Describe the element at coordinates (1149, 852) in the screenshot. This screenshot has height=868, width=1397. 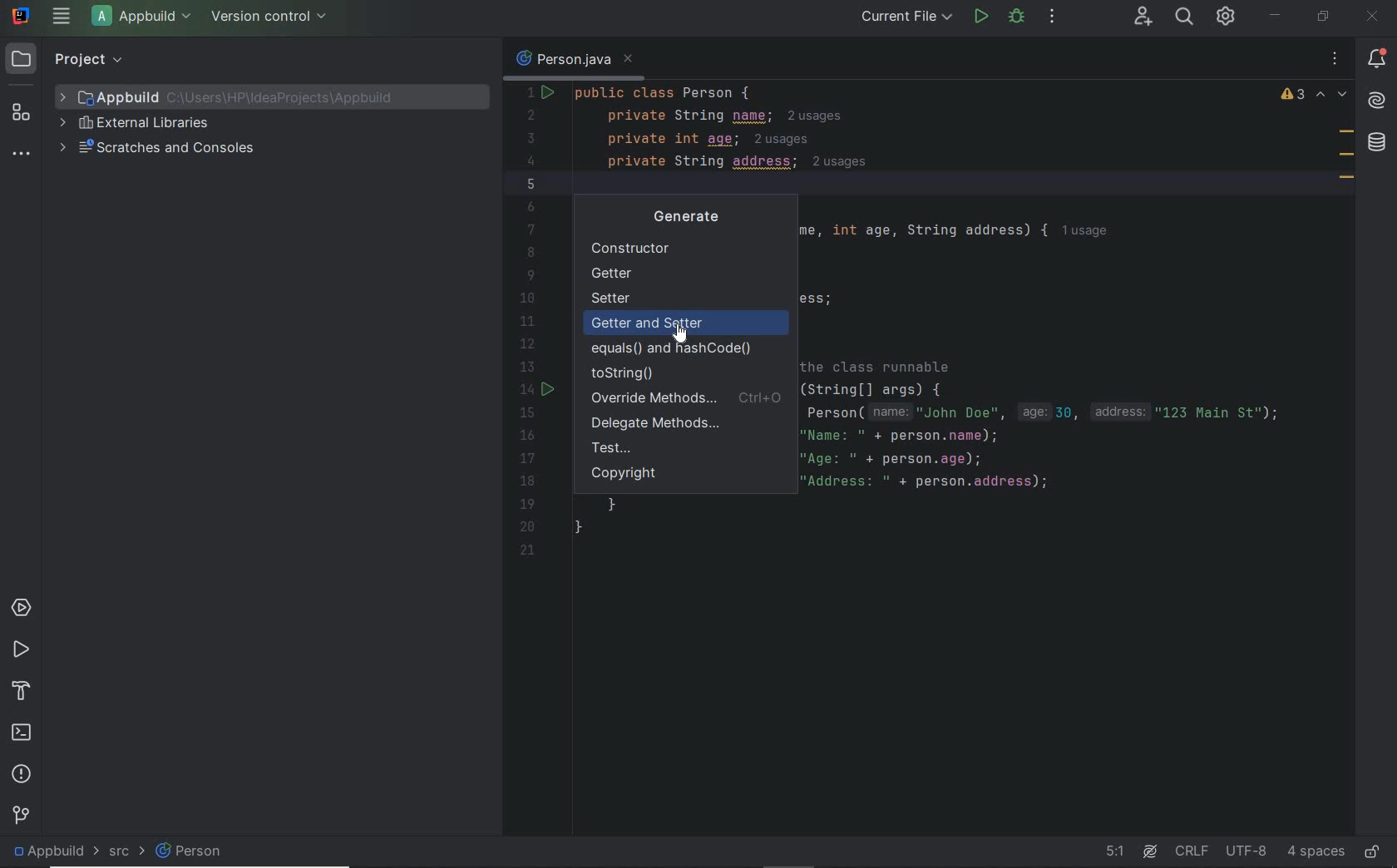
I see `AI Assistant` at that location.